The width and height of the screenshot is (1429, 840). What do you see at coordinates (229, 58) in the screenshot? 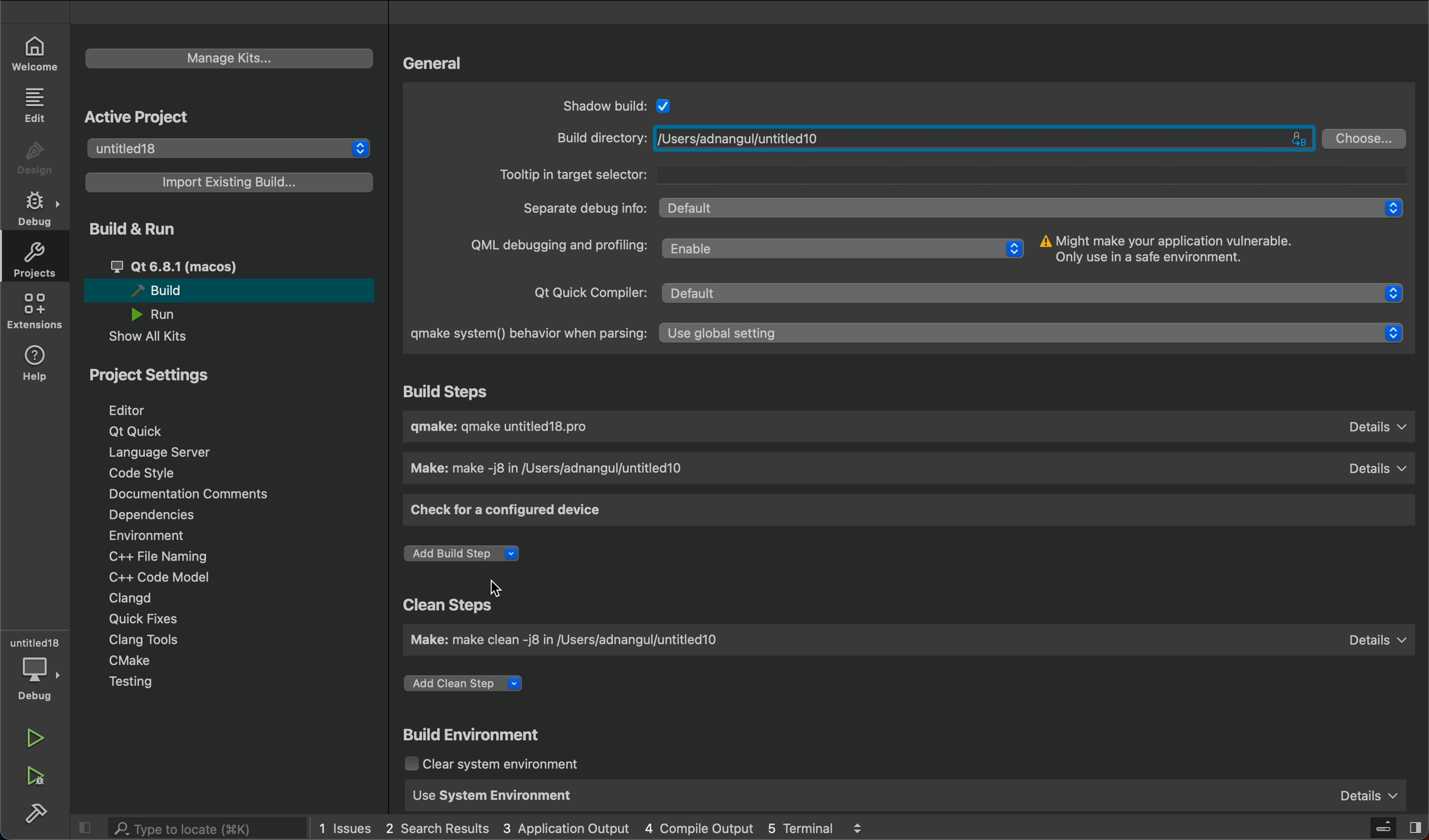
I see `Manage Kits...` at bounding box center [229, 58].